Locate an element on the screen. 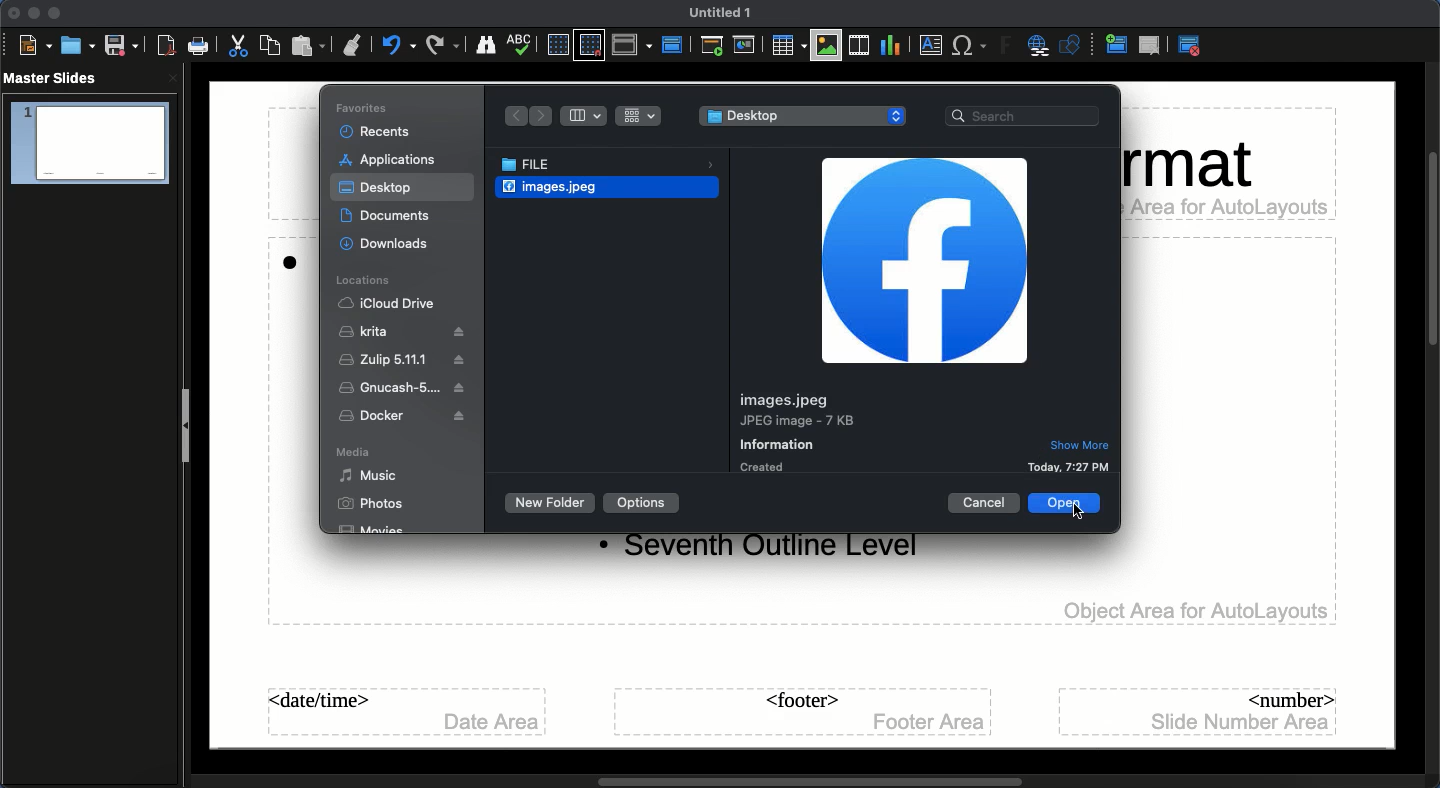 This screenshot has width=1440, height=788. Paste is located at coordinates (310, 46).